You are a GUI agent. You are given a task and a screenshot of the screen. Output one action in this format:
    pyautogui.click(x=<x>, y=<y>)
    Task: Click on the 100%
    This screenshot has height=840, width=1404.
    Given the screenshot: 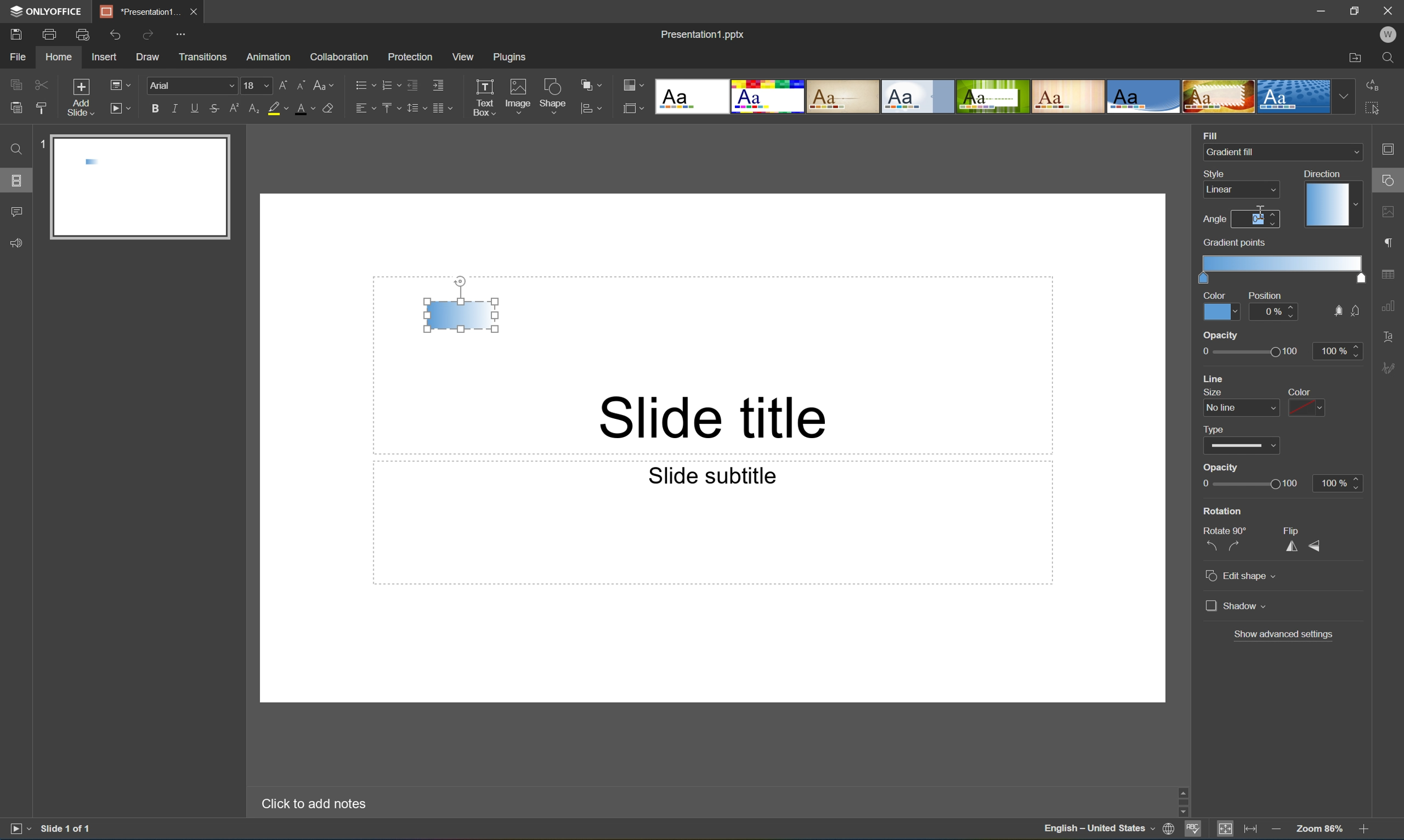 What is the action you would take?
    pyautogui.click(x=1337, y=351)
    